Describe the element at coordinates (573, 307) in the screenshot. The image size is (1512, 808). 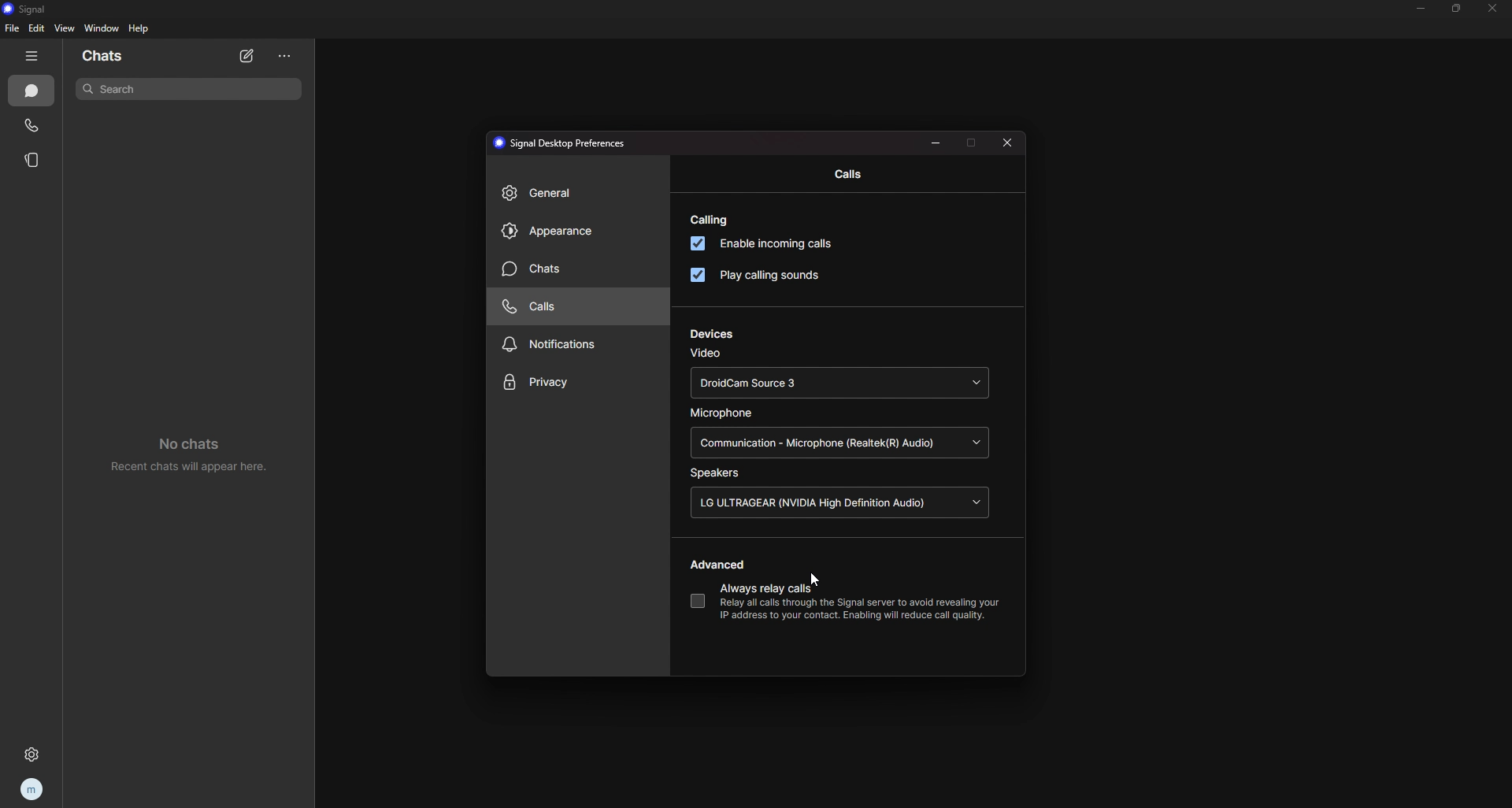
I see `calls` at that location.